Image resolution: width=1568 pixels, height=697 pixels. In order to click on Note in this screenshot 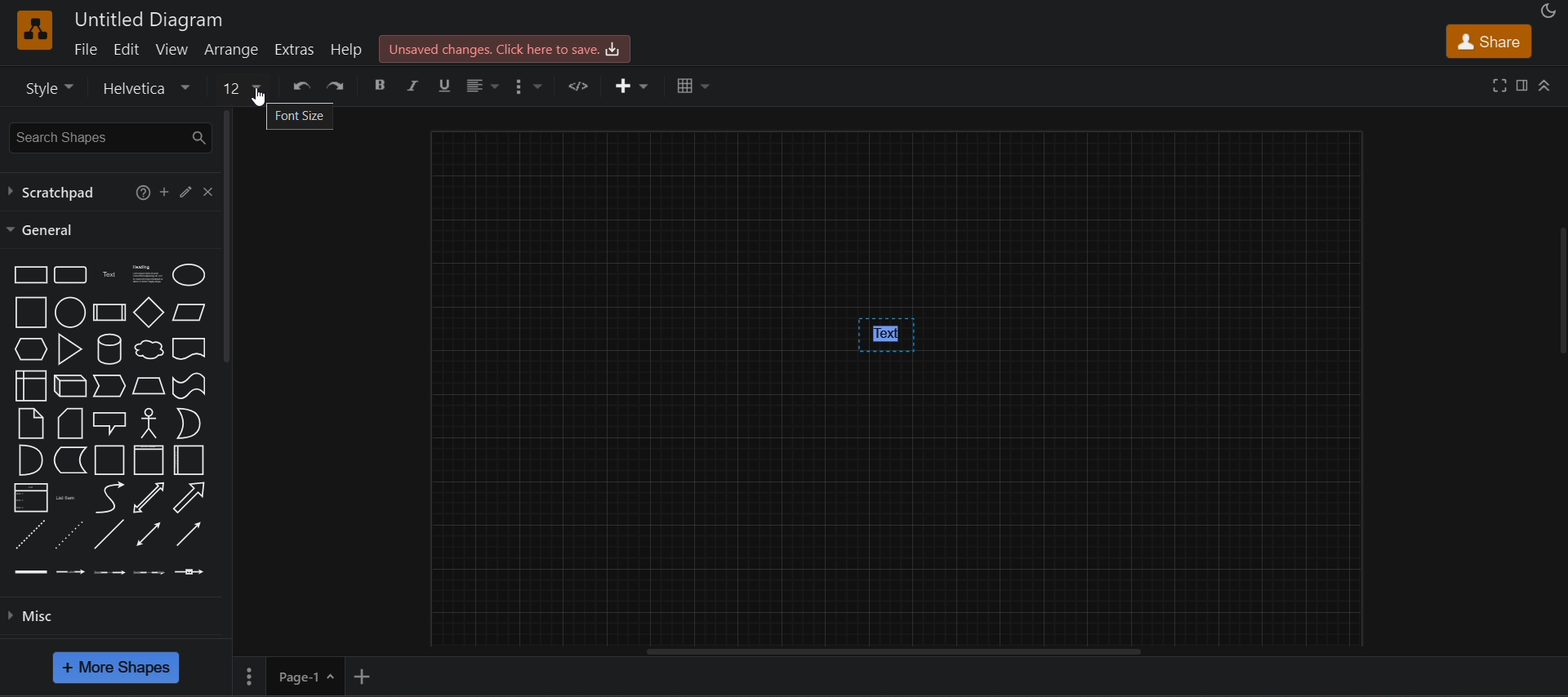, I will do `click(30, 424)`.